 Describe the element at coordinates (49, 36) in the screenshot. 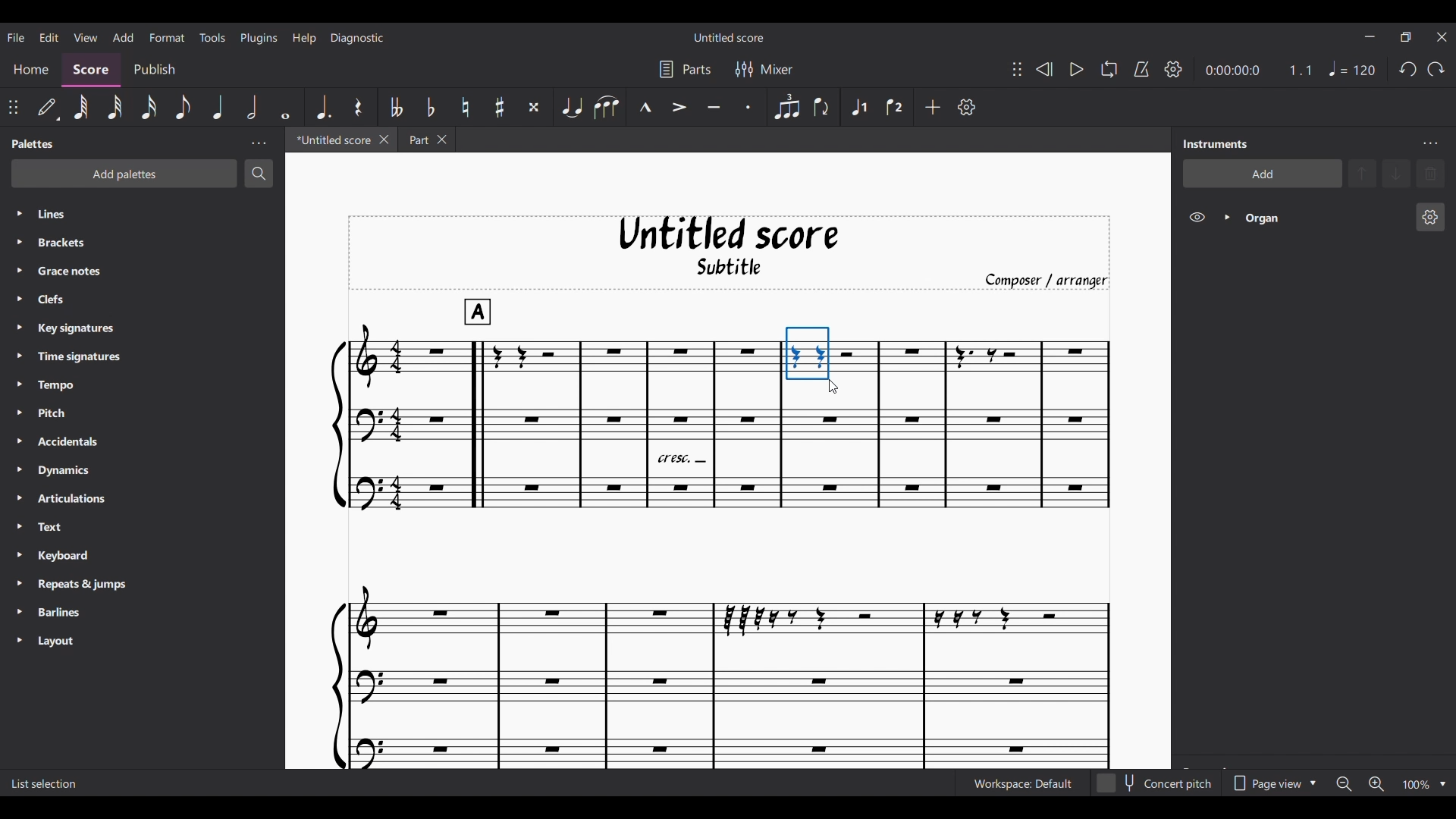

I see `Edit menu` at that location.